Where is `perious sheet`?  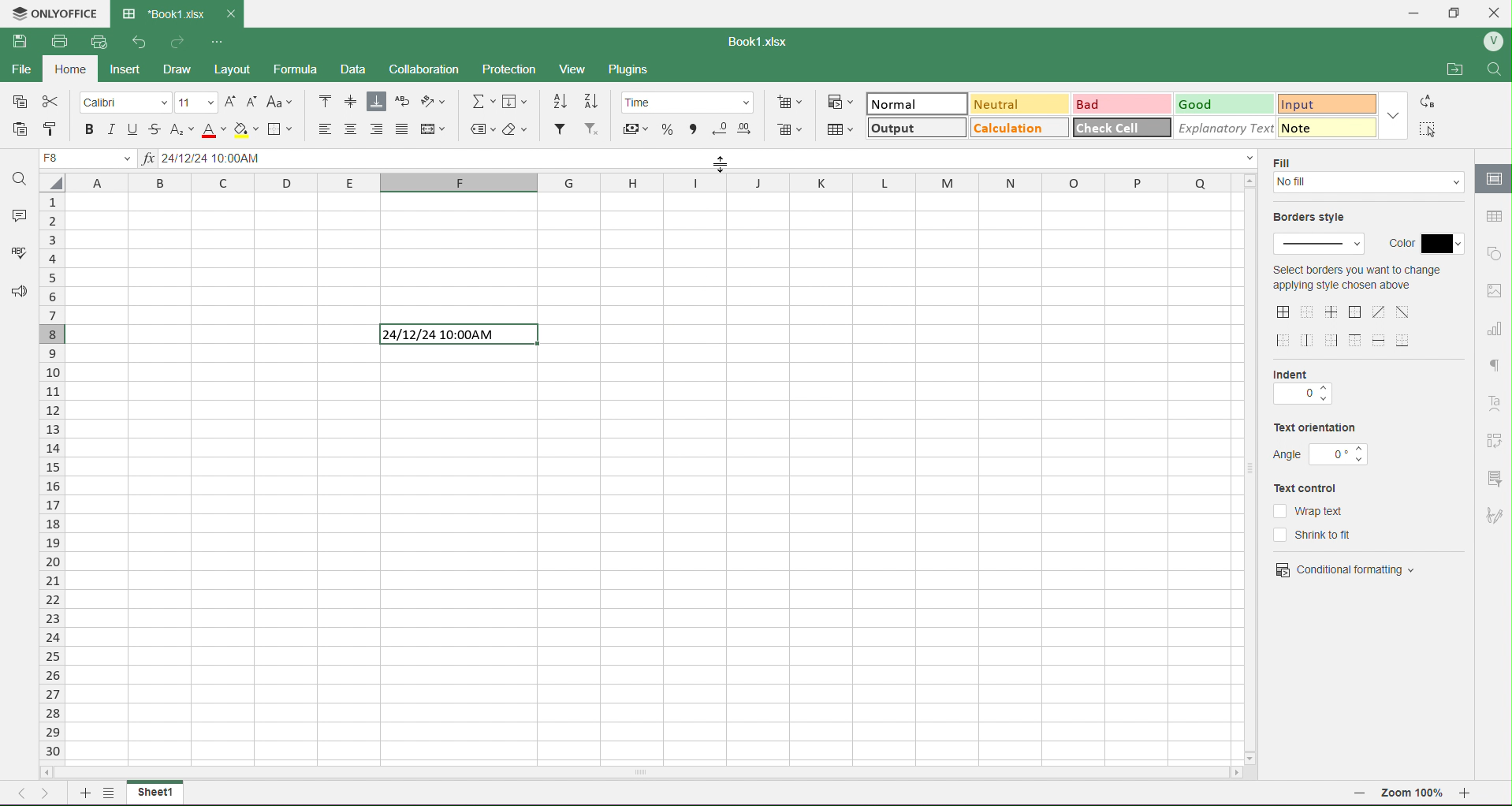 perious sheet is located at coordinates (26, 792).